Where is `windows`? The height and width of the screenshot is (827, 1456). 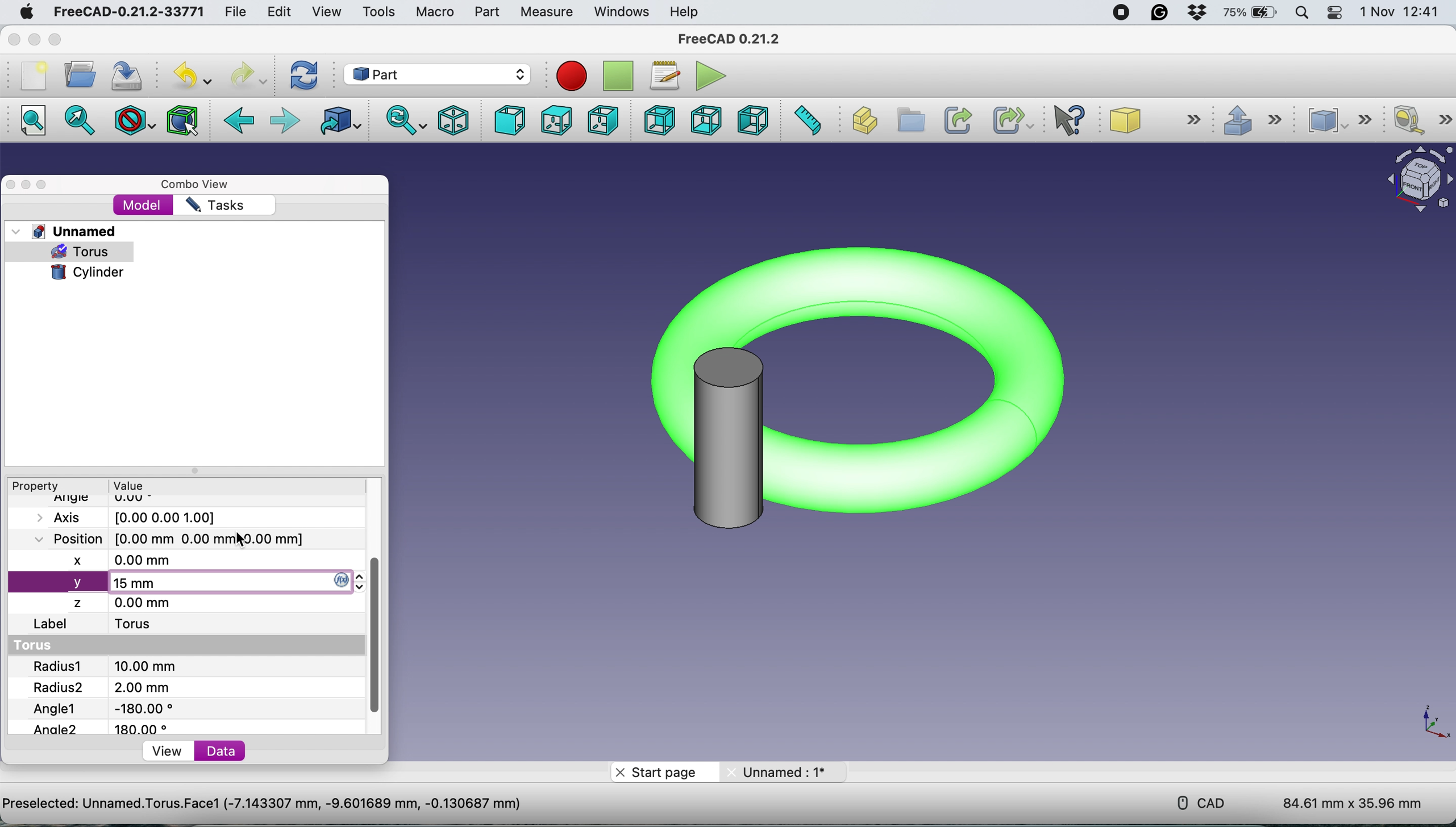
windows is located at coordinates (623, 12).